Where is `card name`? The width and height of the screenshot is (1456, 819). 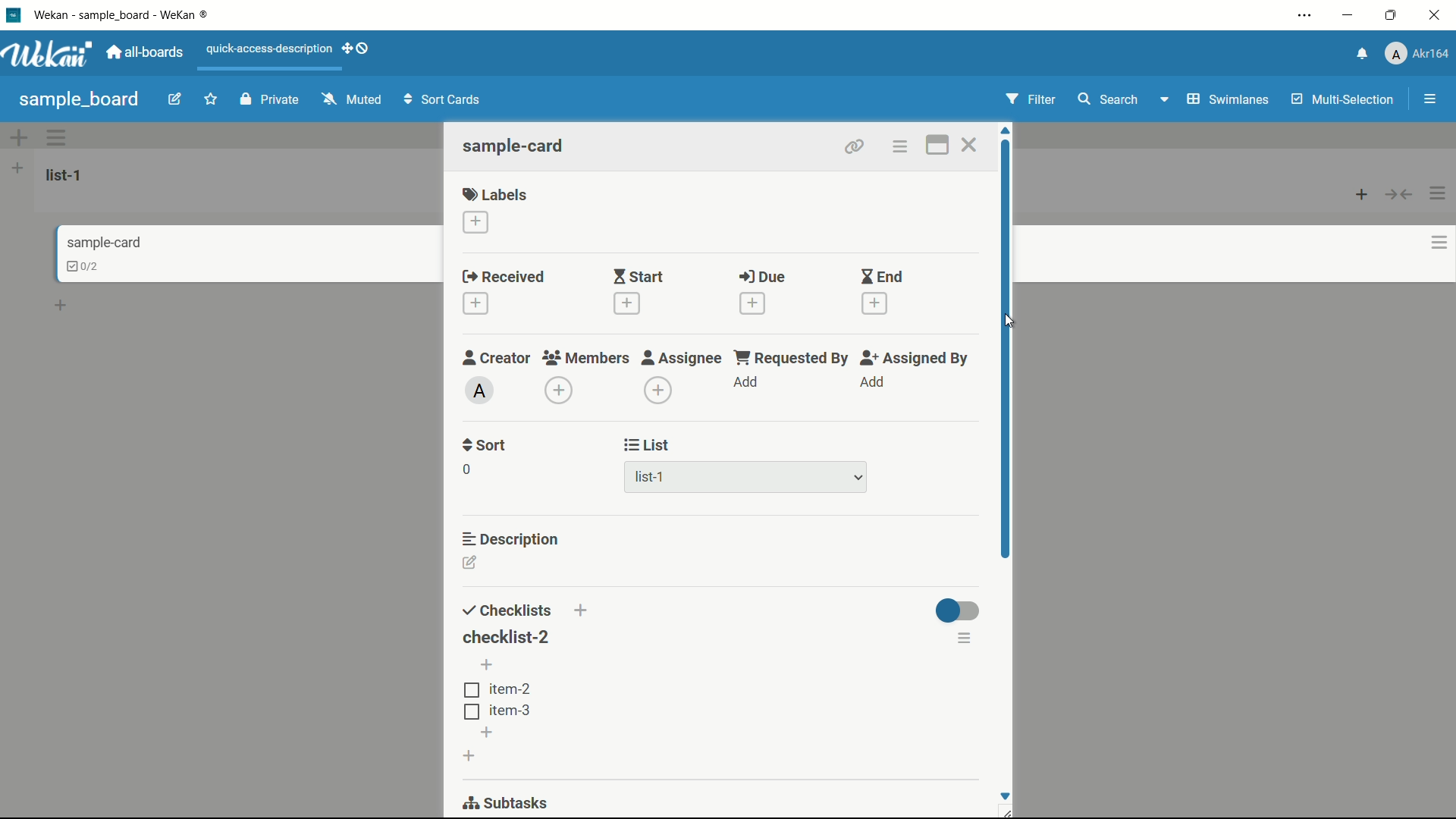 card name is located at coordinates (516, 147).